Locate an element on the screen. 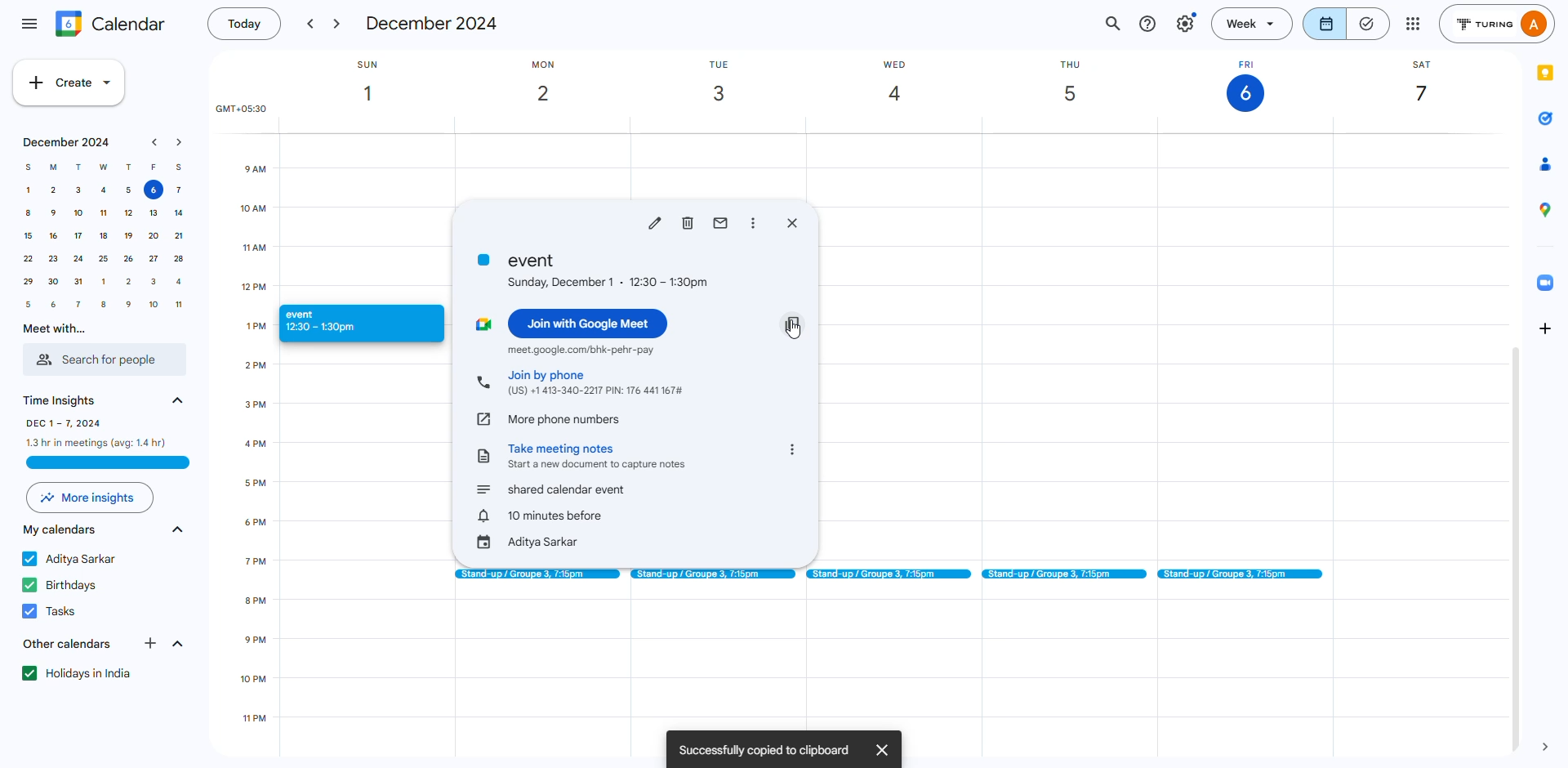 The height and width of the screenshot is (768, 1568). 16 is located at coordinates (52, 237).